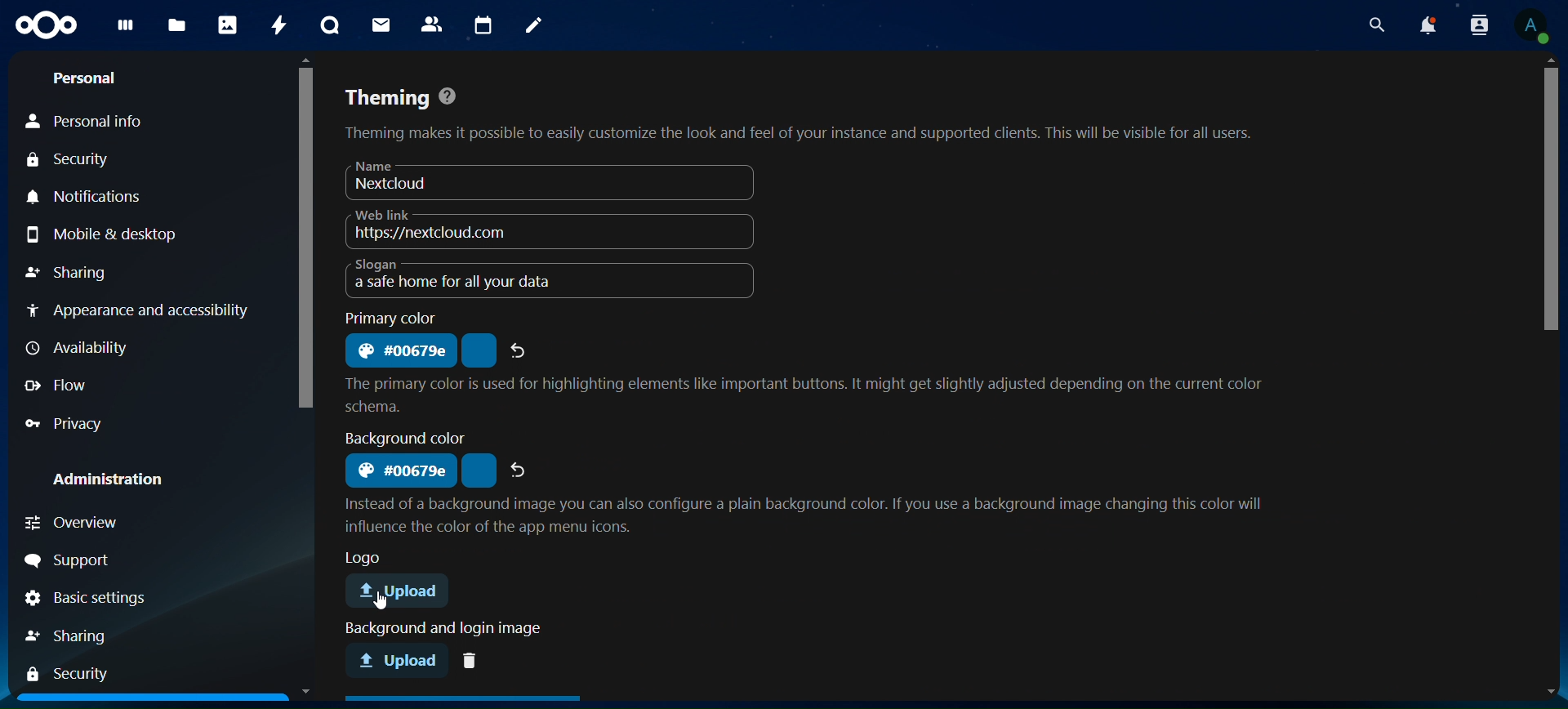  What do you see at coordinates (798, 115) in the screenshot?
I see `theming` at bounding box center [798, 115].